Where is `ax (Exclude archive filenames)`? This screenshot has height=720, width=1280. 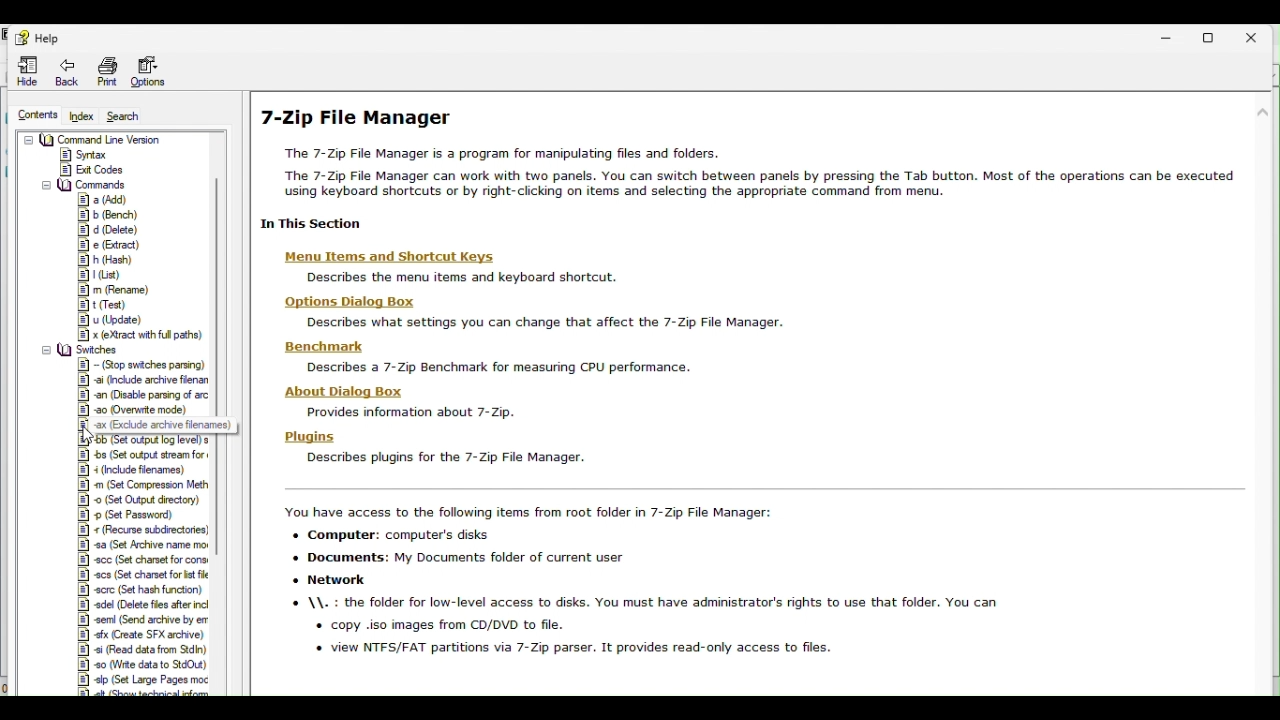
ax (Exclude archive filenames) is located at coordinates (165, 427).